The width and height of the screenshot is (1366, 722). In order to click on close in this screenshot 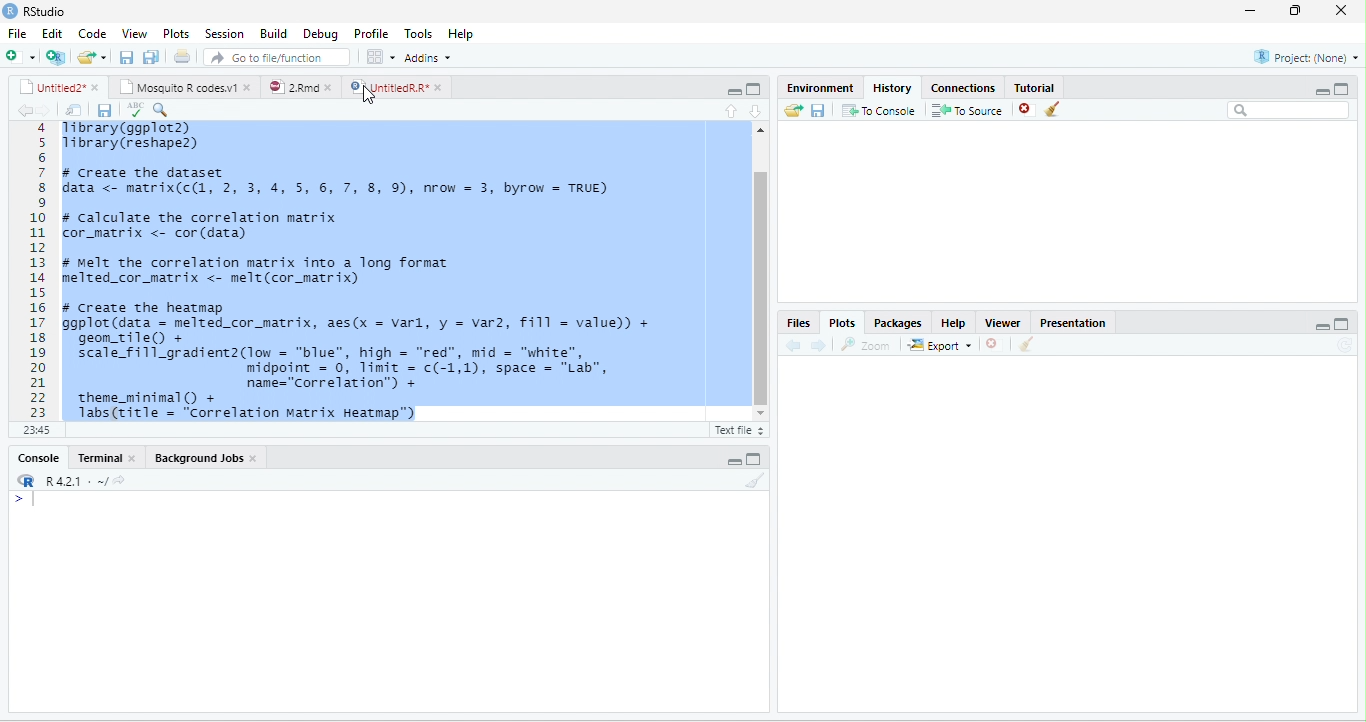, I will do `click(1021, 110)`.